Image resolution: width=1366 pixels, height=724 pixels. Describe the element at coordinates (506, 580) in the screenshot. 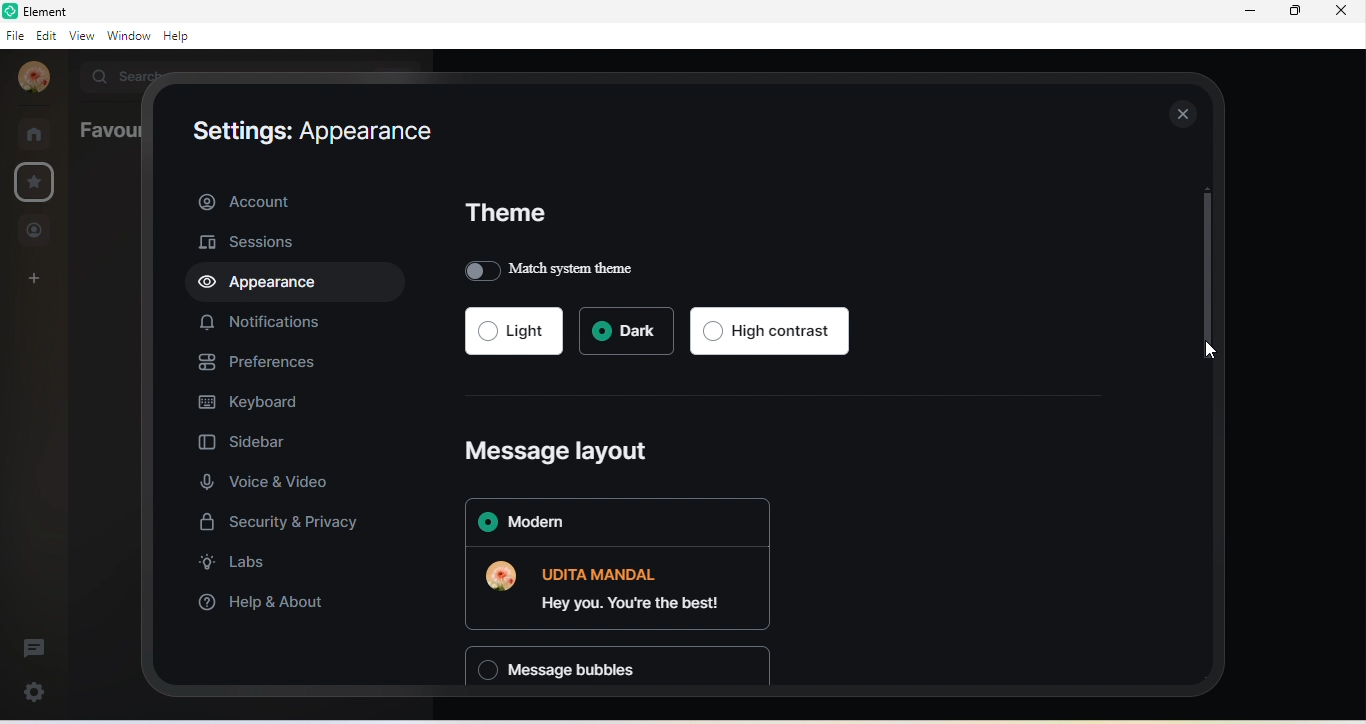

I see `profile photo` at that location.